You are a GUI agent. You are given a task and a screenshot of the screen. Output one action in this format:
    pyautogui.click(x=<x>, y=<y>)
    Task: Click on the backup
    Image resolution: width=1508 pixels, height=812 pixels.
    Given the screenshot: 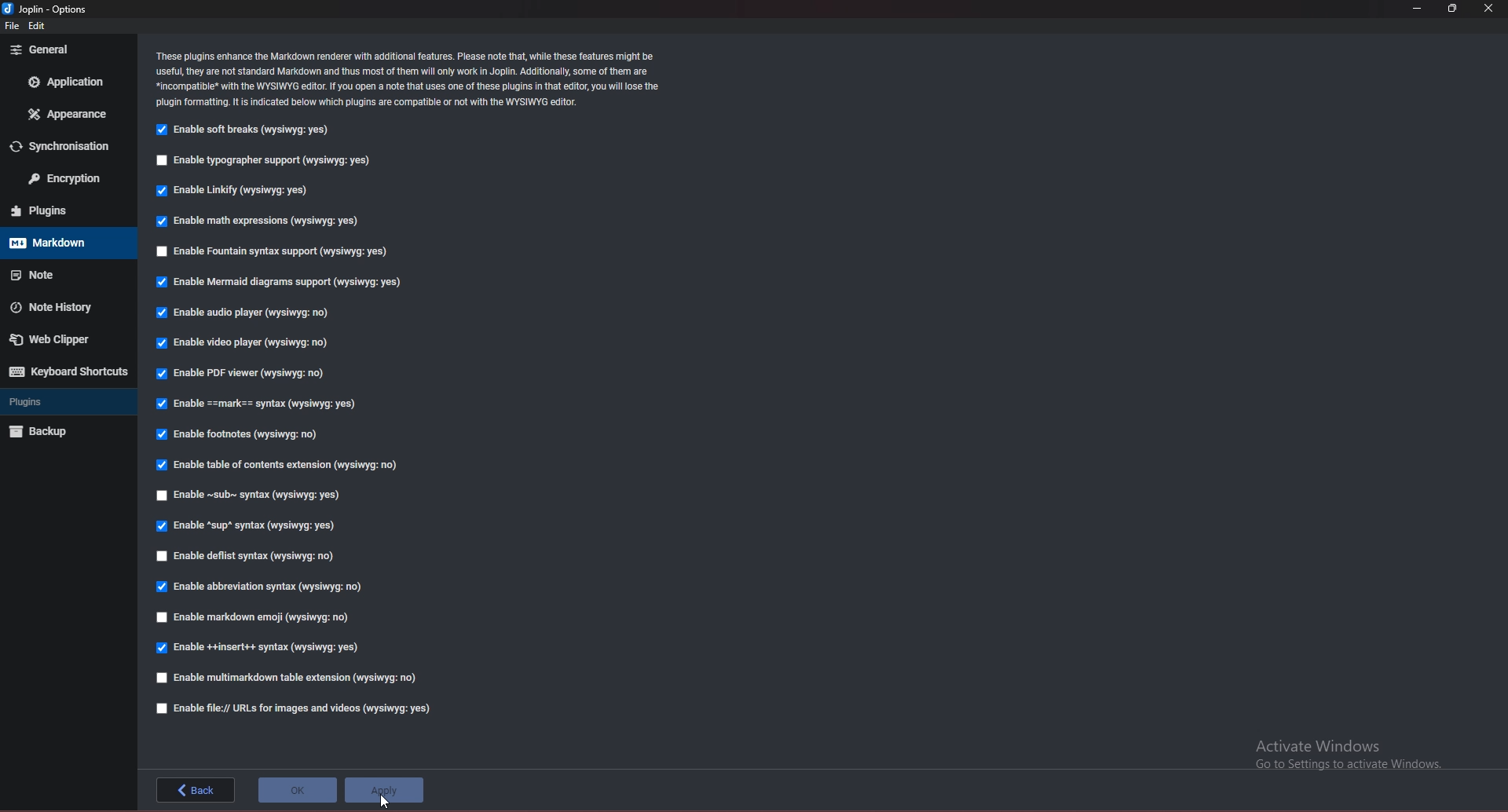 What is the action you would take?
    pyautogui.click(x=63, y=432)
    